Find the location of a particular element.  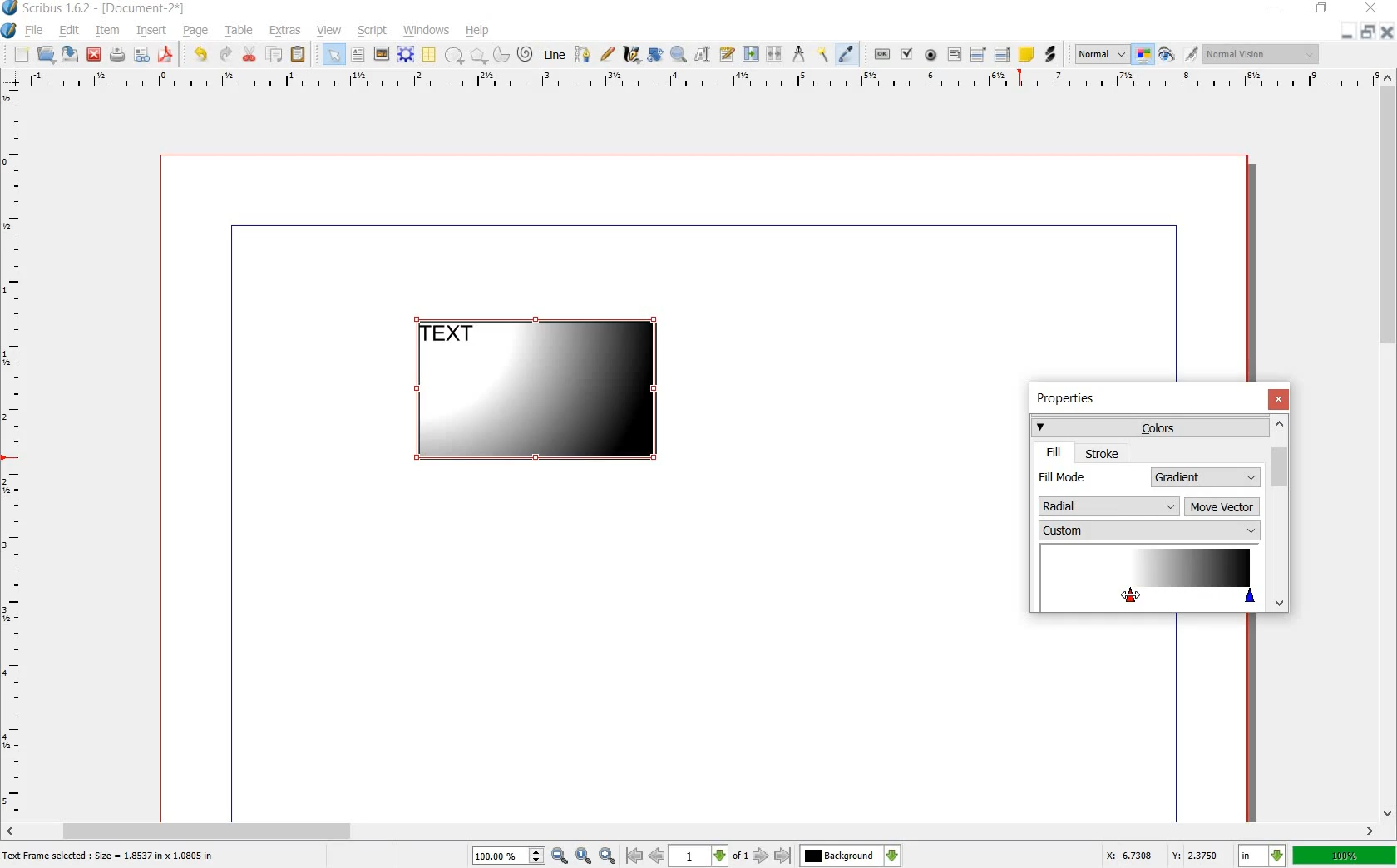

100% is located at coordinates (1345, 855).